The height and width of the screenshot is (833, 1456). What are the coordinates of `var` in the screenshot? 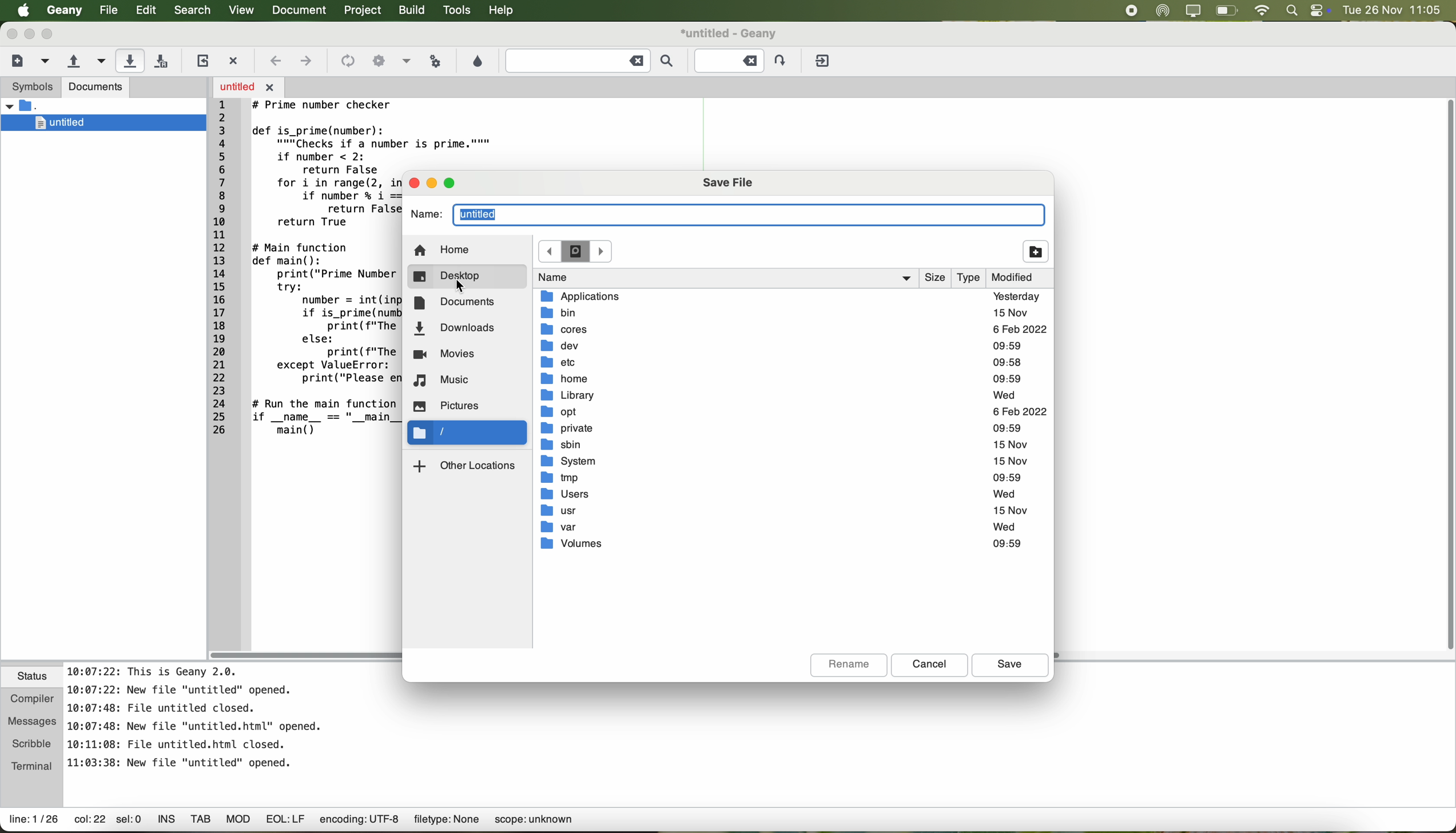 It's located at (779, 527).